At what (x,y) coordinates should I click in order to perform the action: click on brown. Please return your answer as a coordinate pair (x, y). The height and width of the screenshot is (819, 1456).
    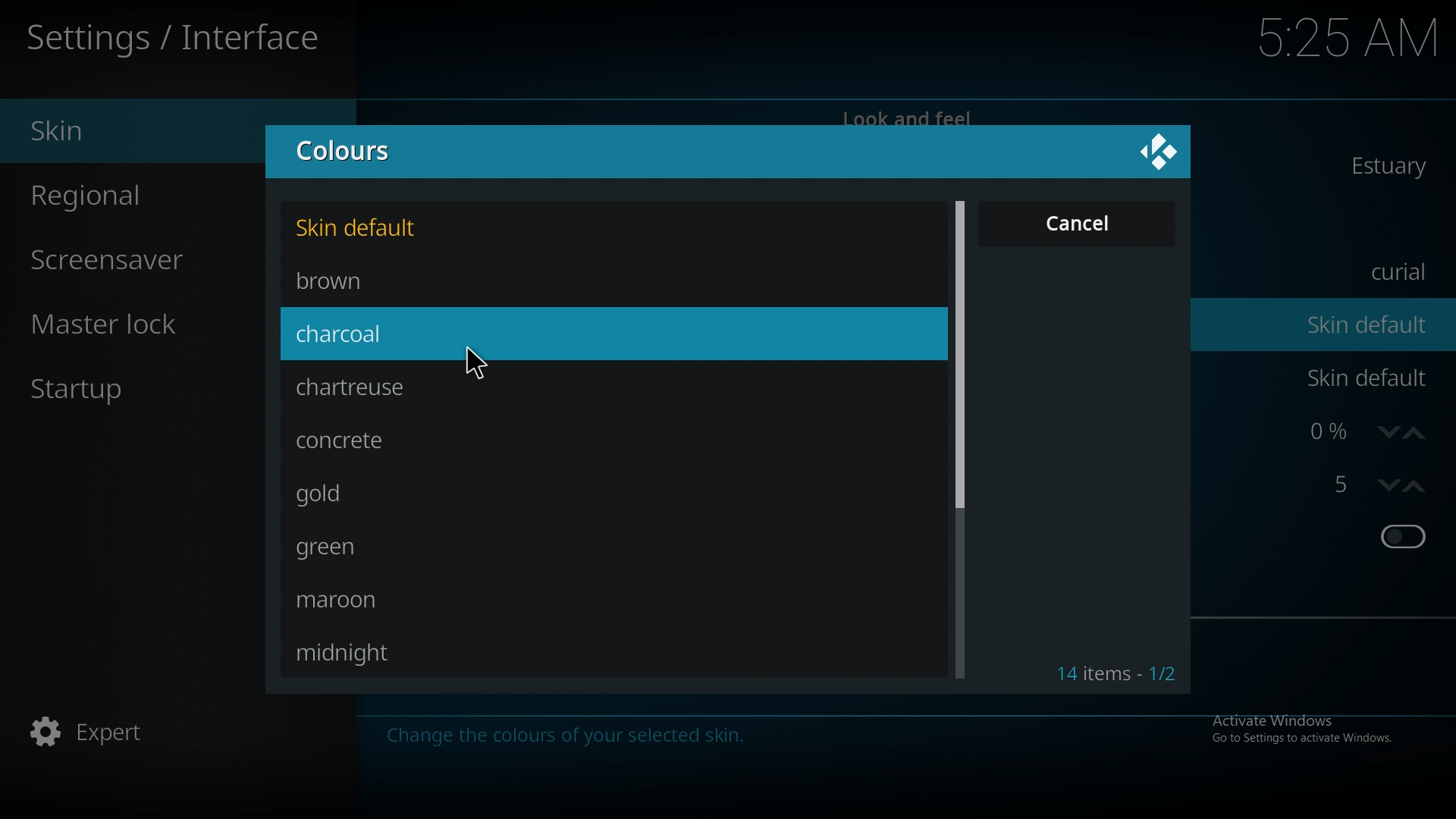
    Looking at the image, I should click on (366, 280).